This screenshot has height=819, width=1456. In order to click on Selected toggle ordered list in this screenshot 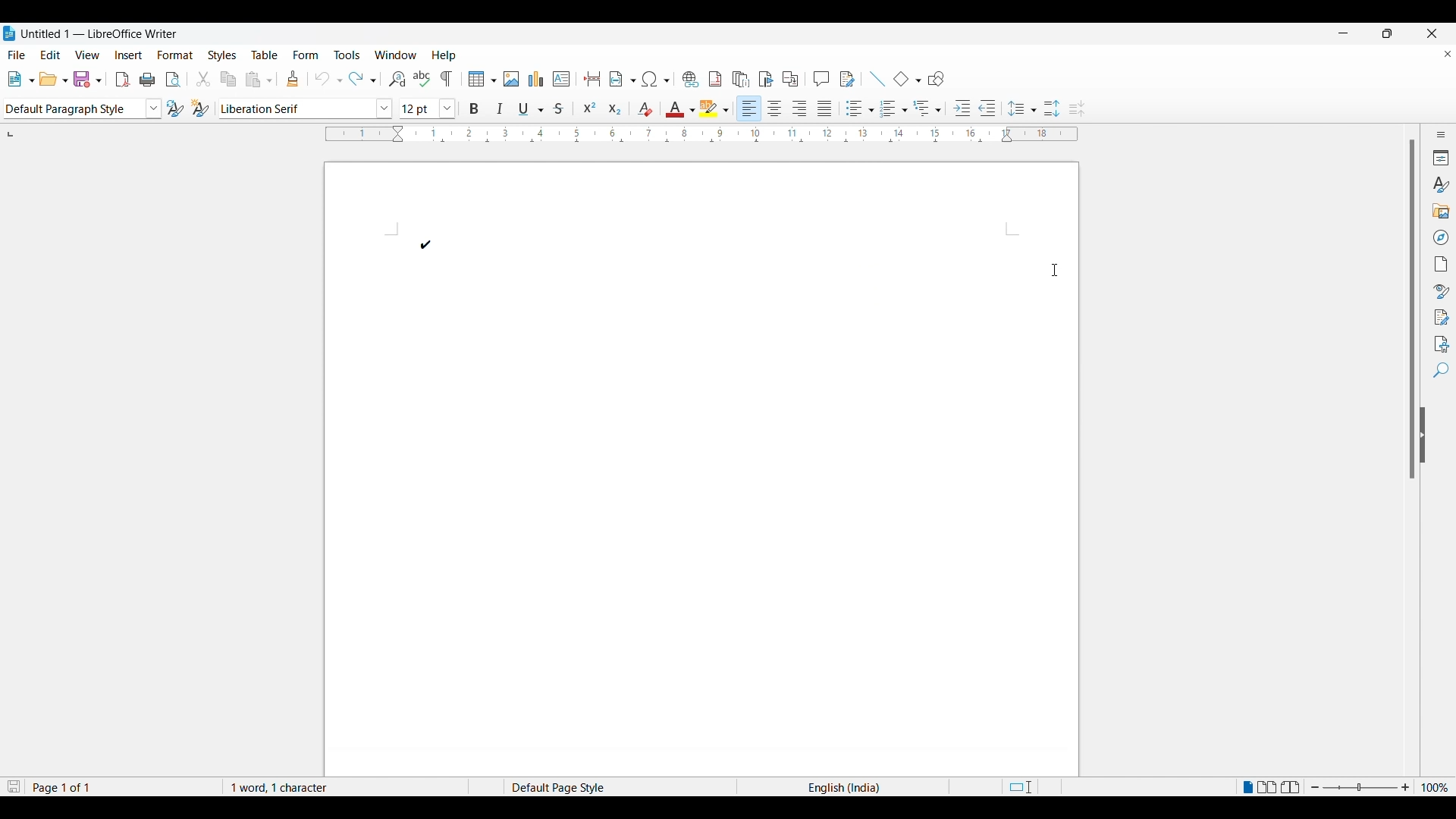, I will do `click(893, 107)`.